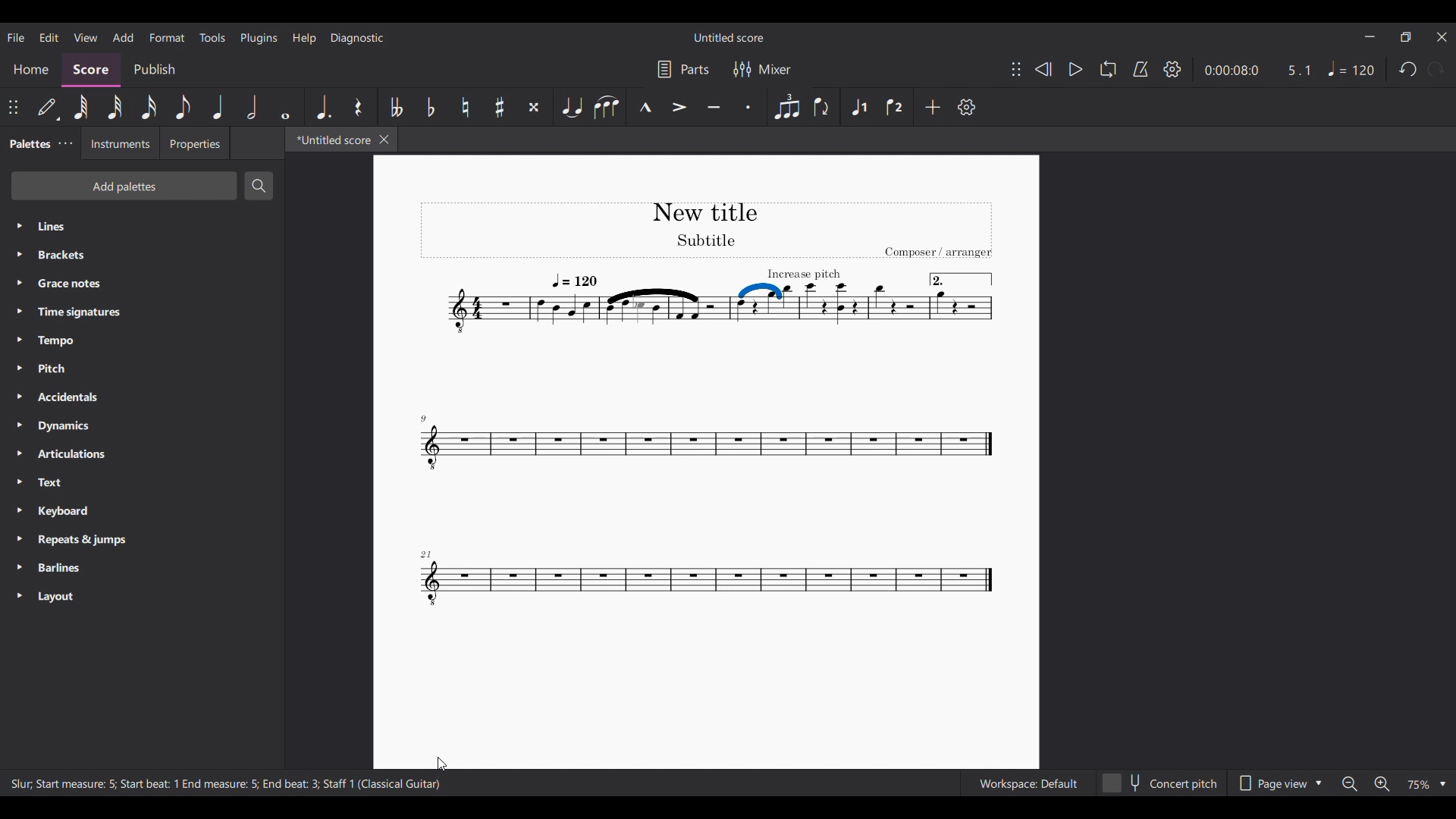 This screenshot has width=1456, height=819. I want to click on Voice 1, so click(858, 107).